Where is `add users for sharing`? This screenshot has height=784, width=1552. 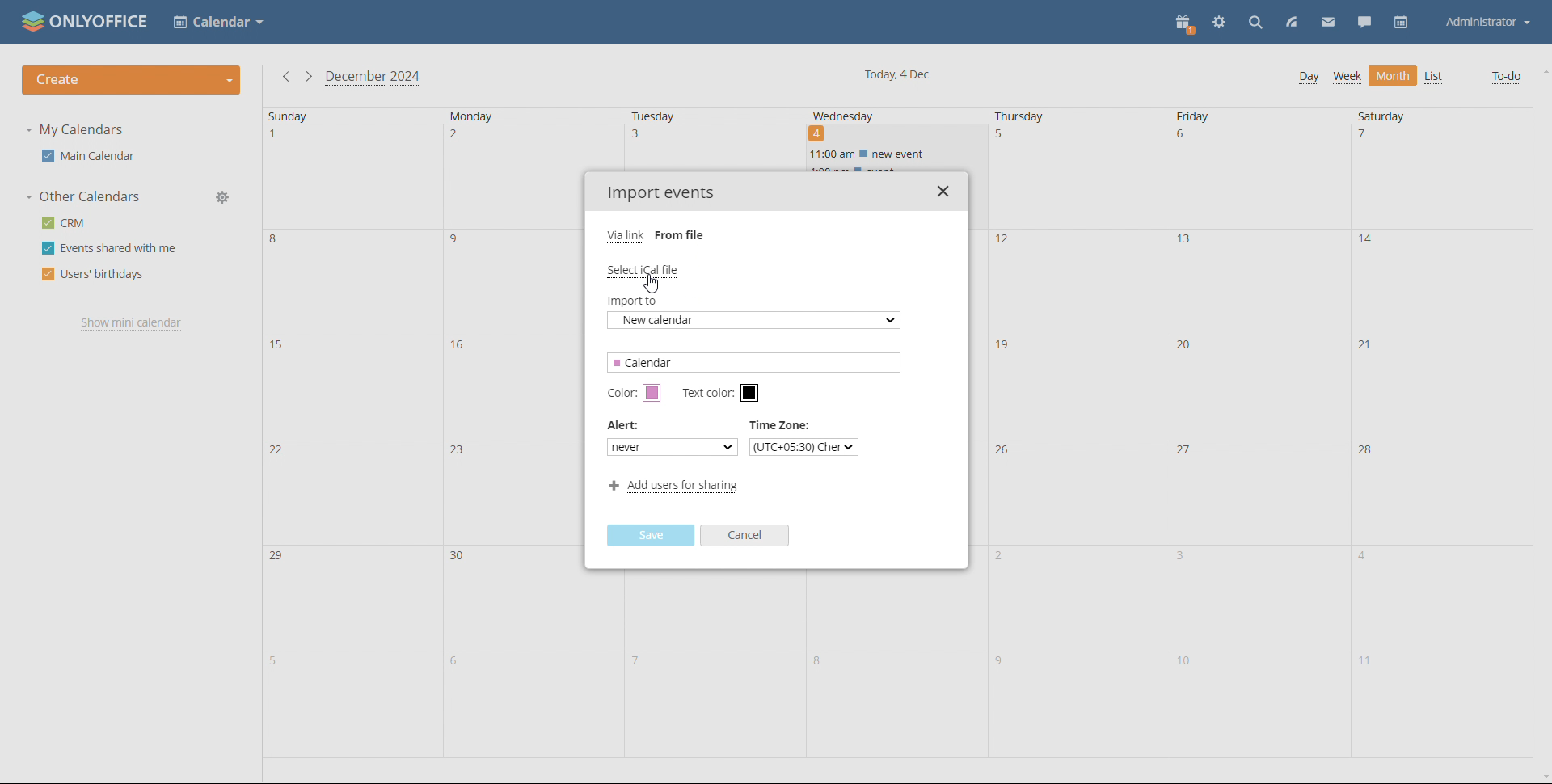
add users for sharing is located at coordinates (674, 487).